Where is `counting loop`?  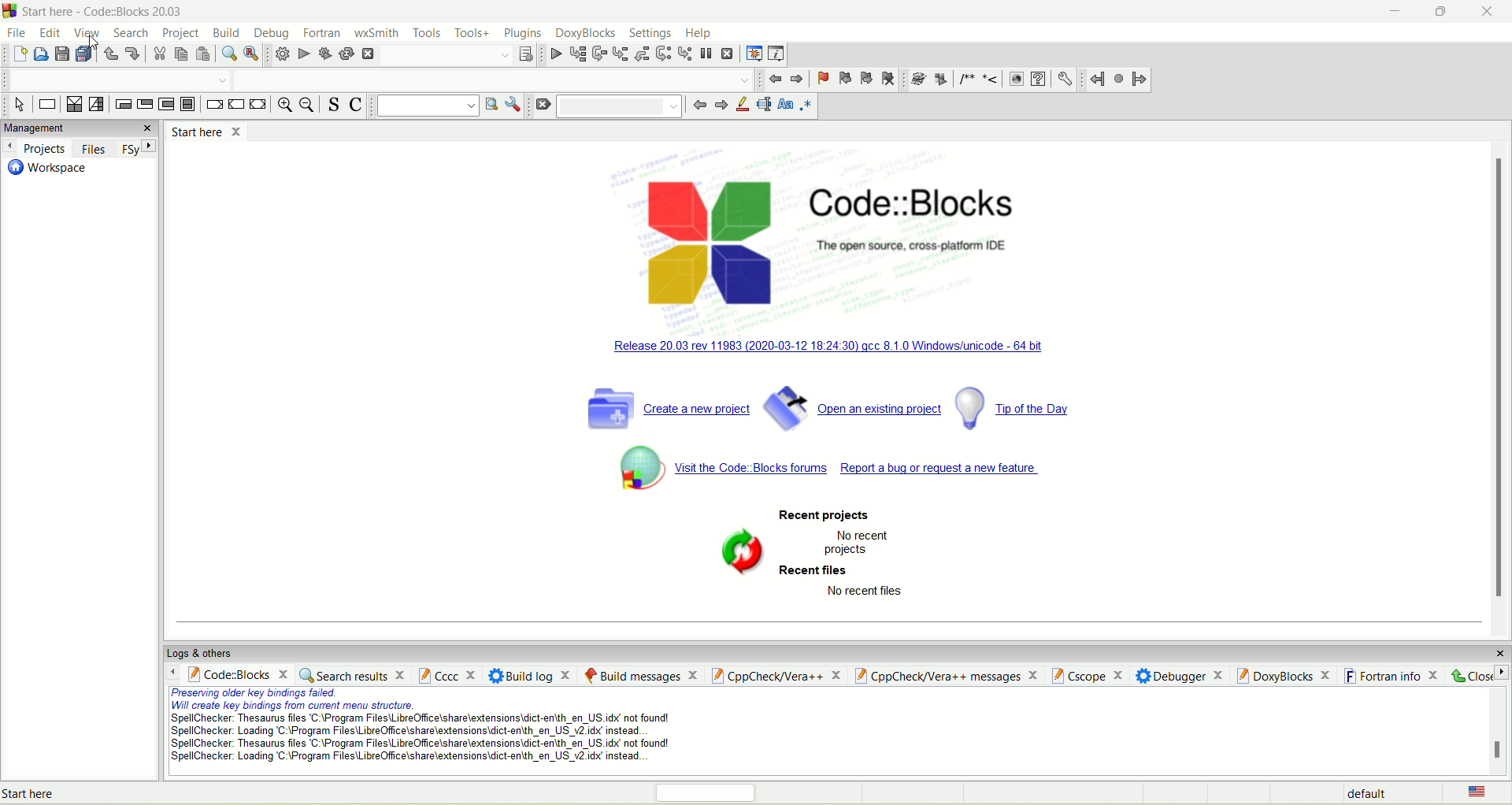
counting loop is located at coordinates (169, 105).